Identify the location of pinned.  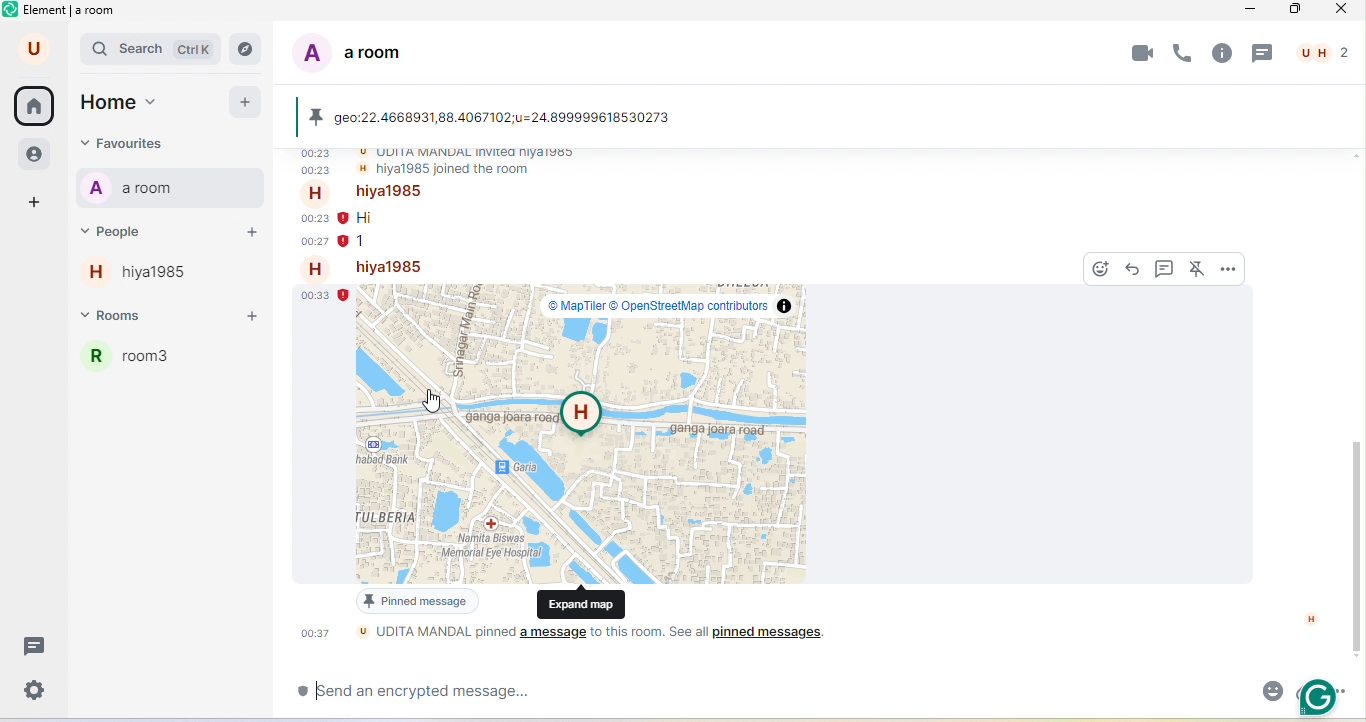
(319, 118).